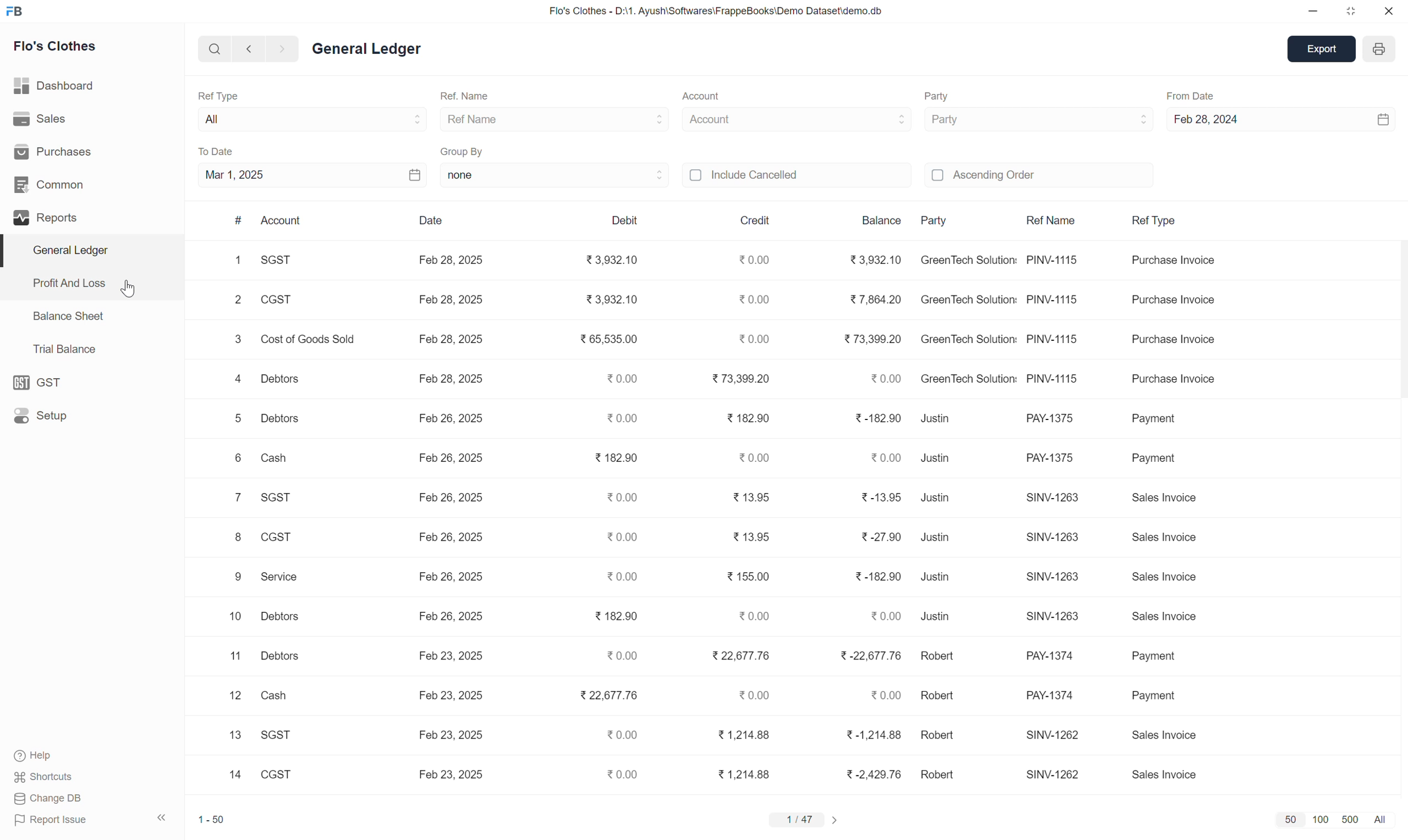  I want to click on Common, so click(56, 186).